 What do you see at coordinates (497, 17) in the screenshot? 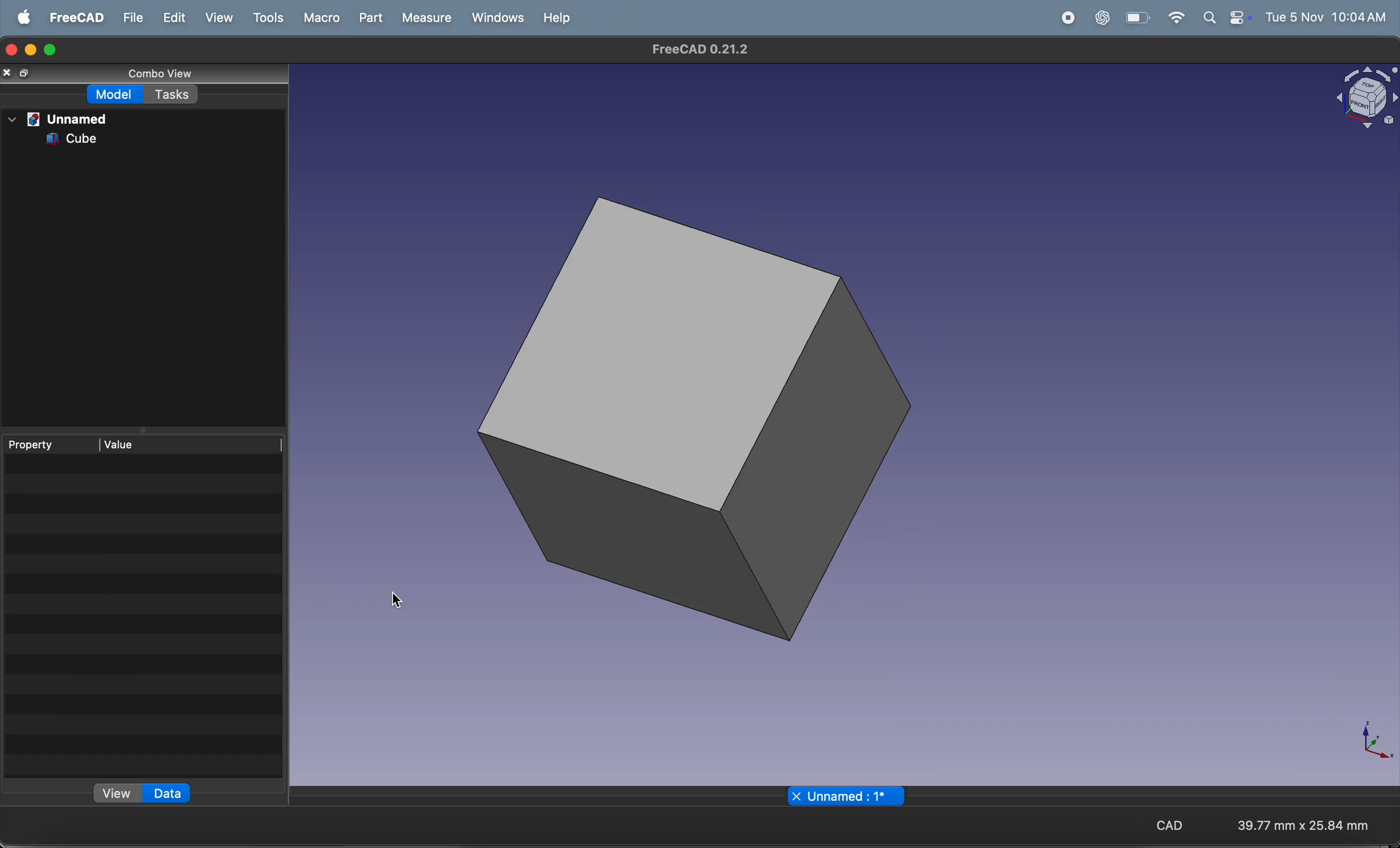
I see `windows` at bounding box center [497, 17].